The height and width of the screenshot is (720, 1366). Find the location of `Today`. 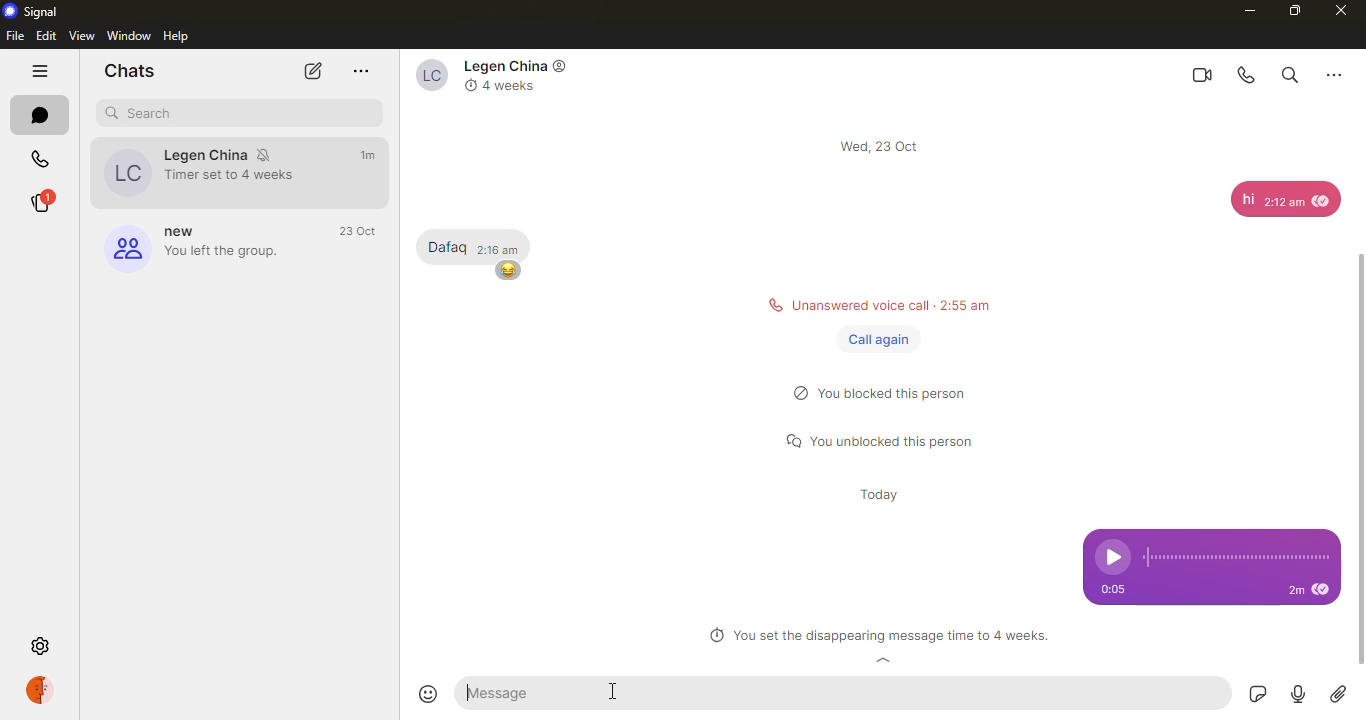

Today is located at coordinates (882, 497).